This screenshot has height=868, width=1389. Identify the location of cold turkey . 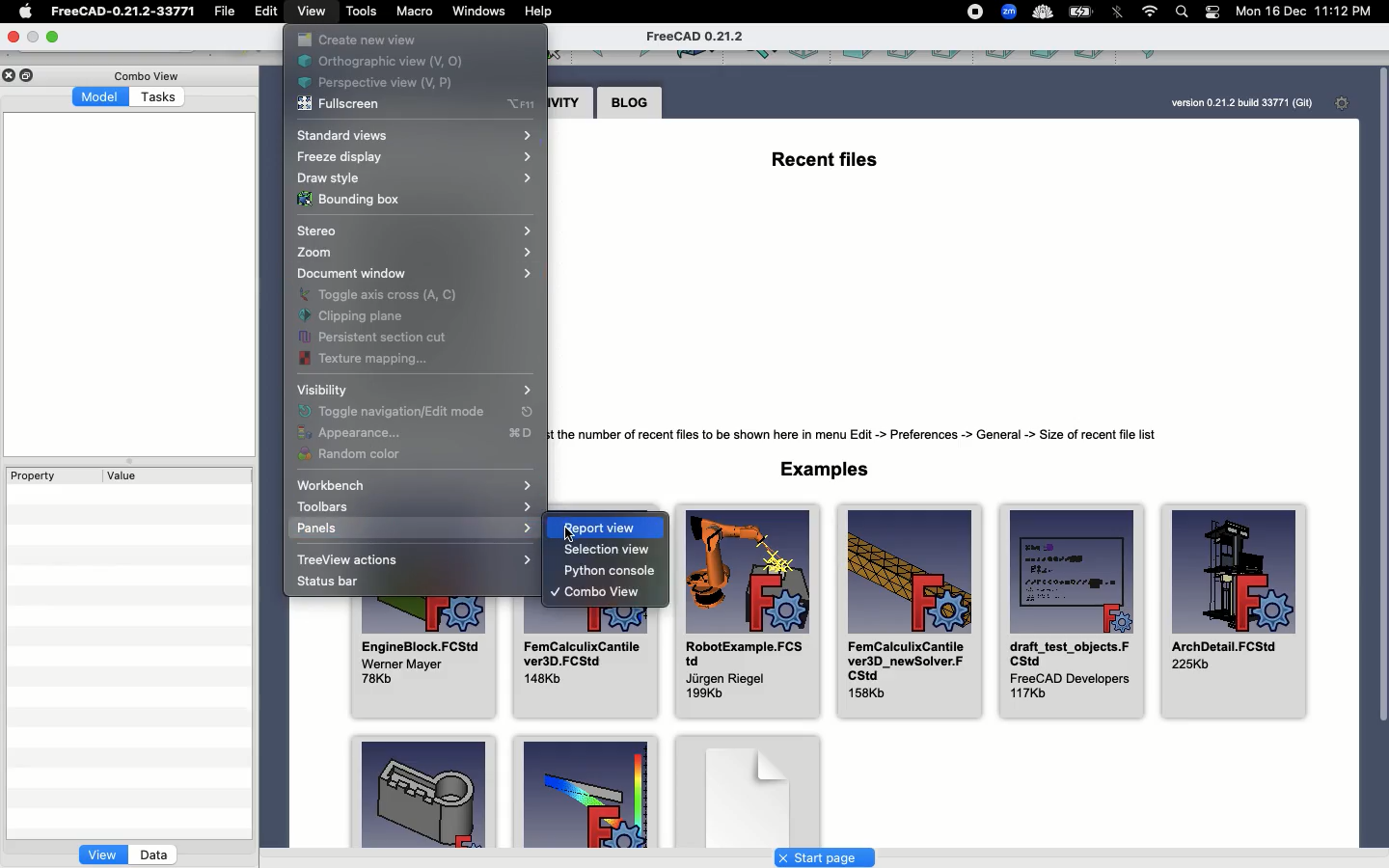
(1042, 12).